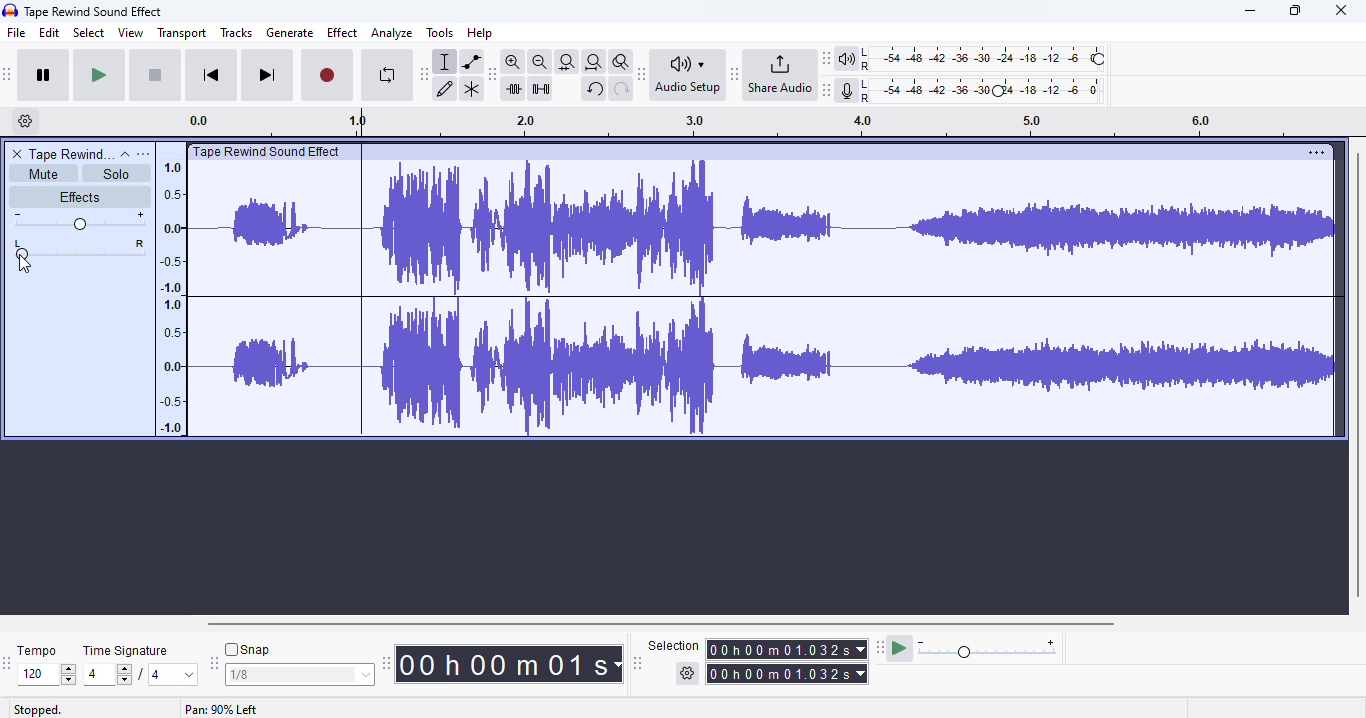 The height and width of the screenshot is (718, 1366). I want to click on audacity edit toolbar, so click(490, 75).